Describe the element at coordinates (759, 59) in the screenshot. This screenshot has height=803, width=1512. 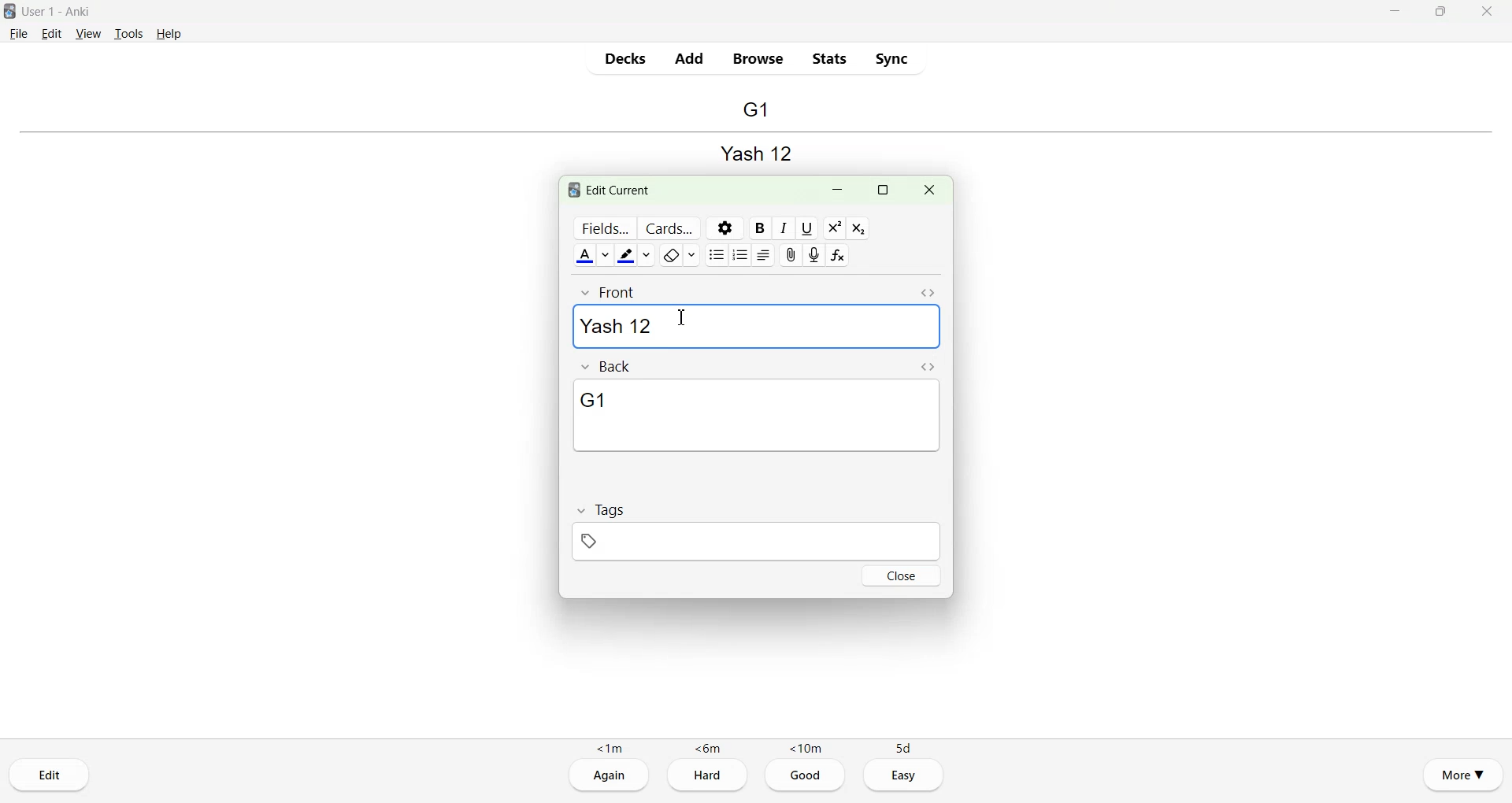
I see `Browse` at that location.